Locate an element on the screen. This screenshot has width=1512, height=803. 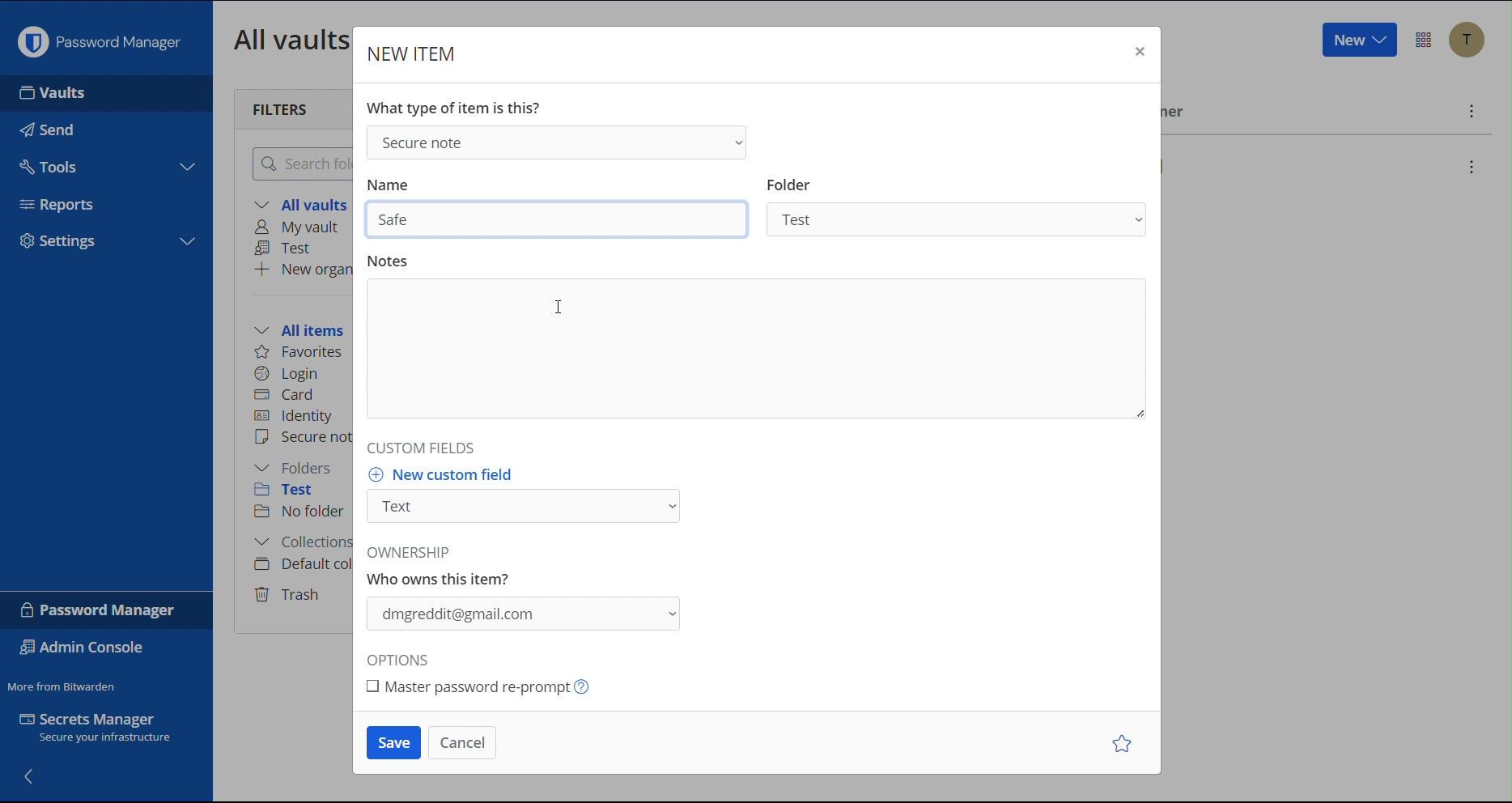
Vaults is located at coordinates (105, 93).